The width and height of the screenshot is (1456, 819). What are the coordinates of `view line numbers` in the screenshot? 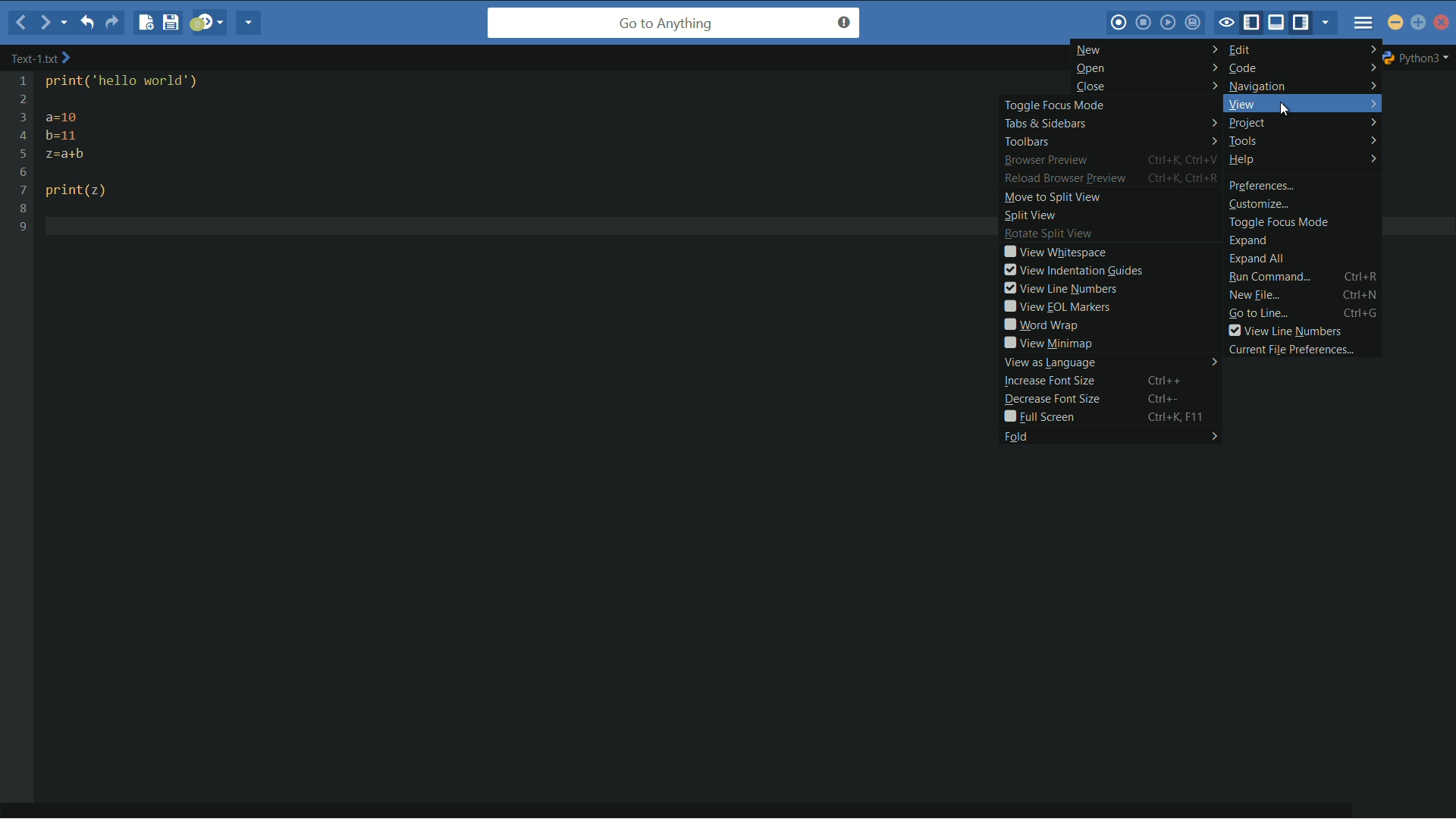 It's located at (1285, 331).